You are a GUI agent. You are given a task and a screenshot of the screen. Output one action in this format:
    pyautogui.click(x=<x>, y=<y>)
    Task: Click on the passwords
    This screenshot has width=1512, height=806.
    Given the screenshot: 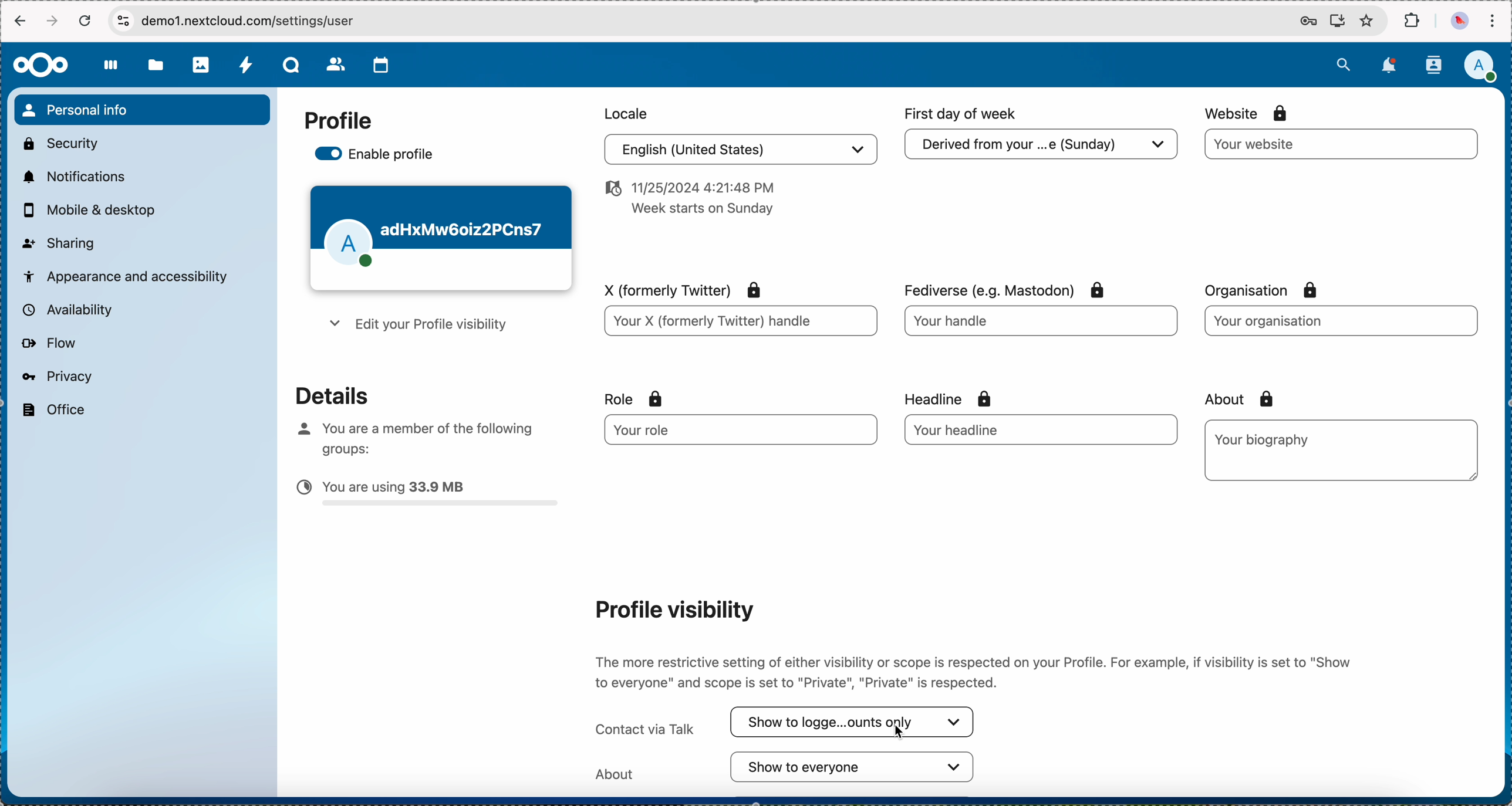 What is the action you would take?
    pyautogui.click(x=1305, y=22)
    